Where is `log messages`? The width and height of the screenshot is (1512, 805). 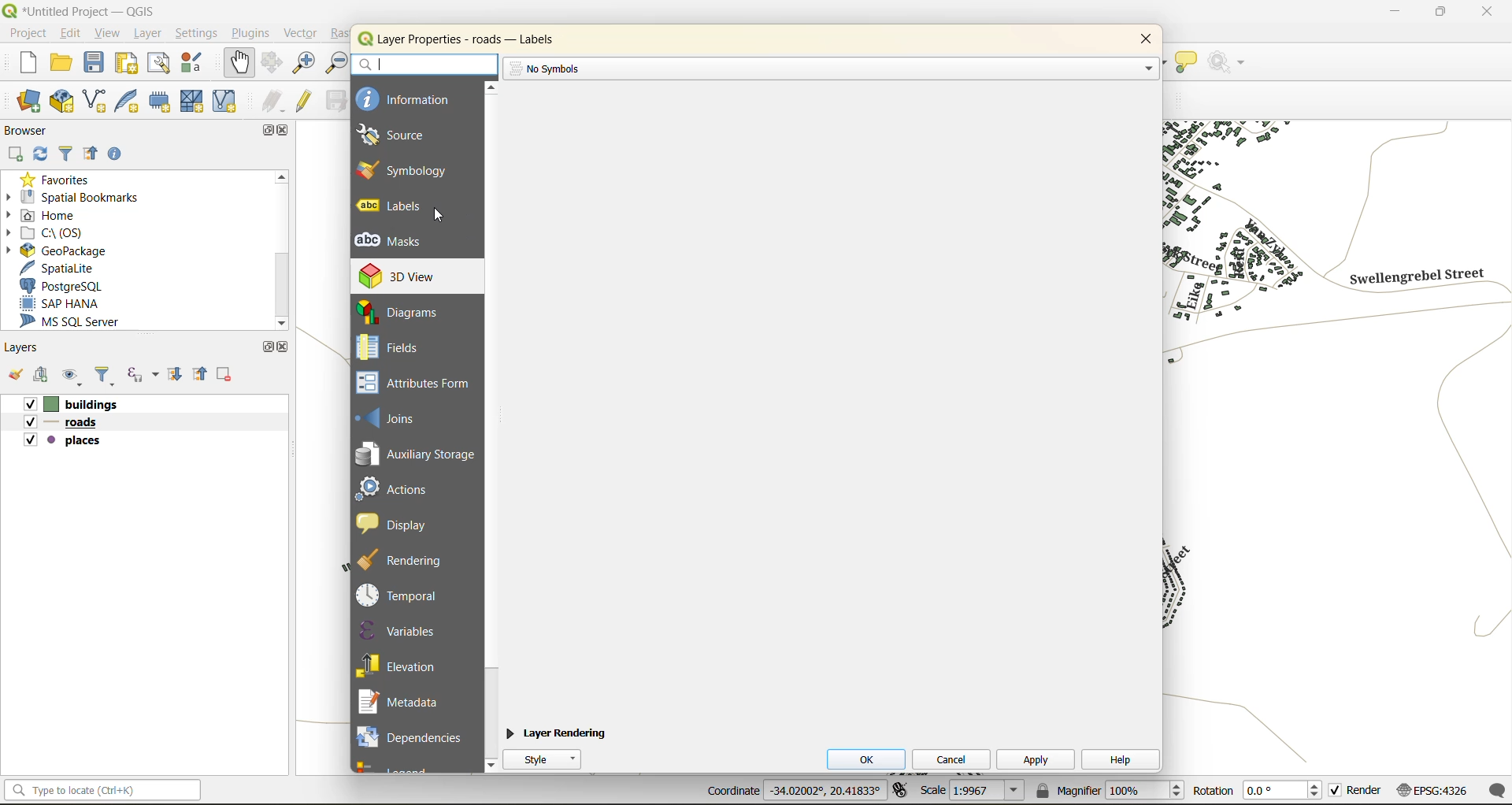
log messages is located at coordinates (1493, 791).